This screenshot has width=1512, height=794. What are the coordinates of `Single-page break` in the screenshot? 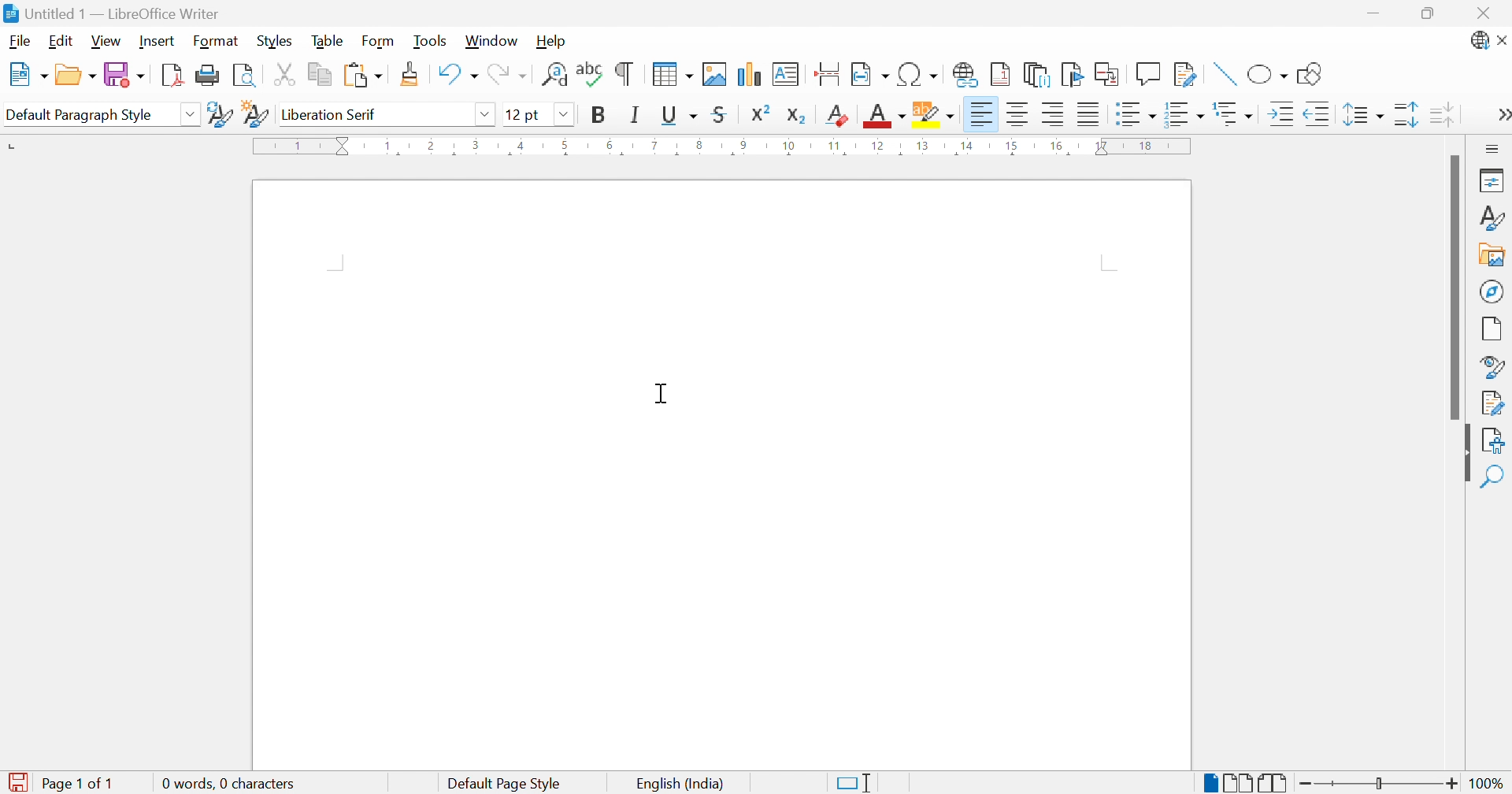 It's located at (1209, 784).